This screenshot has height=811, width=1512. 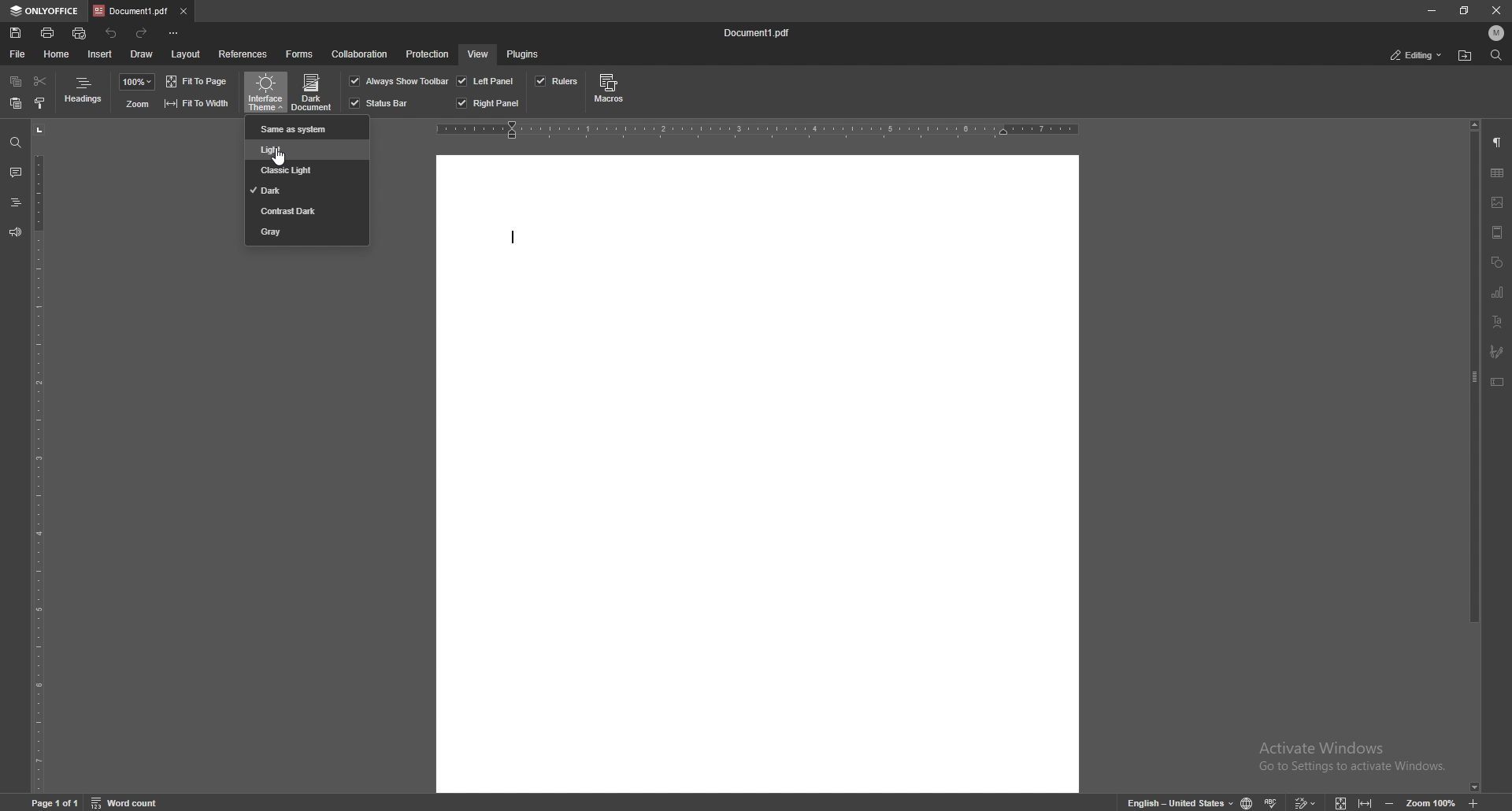 What do you see at coordinates (198, 81) in the screenshot?
I see `fit to page` at bounding box center [198, 81].